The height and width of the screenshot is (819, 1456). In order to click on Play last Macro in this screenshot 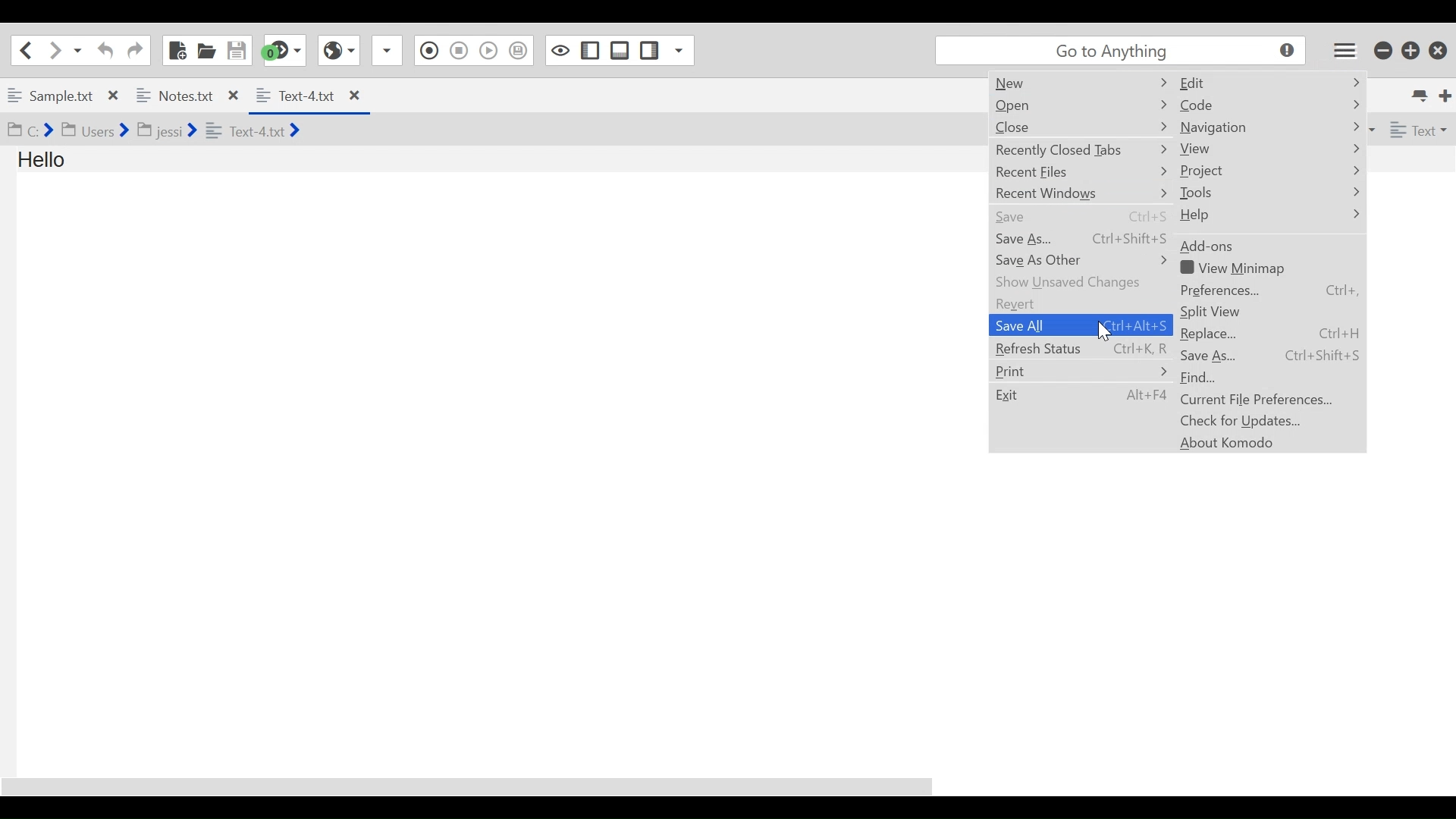, I will do `click(489, 51)`.